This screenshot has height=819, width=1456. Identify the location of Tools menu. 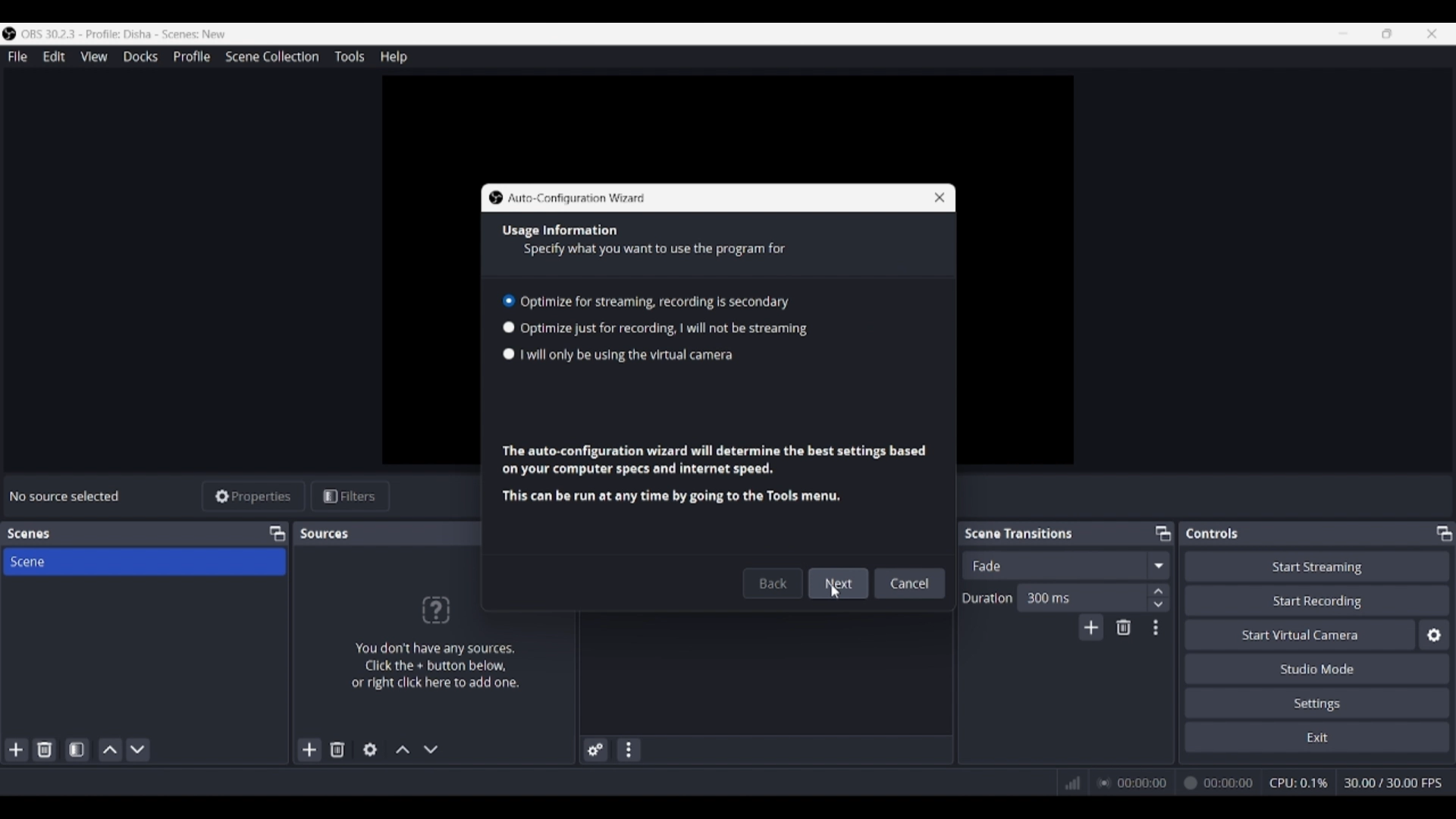
(349, 56).